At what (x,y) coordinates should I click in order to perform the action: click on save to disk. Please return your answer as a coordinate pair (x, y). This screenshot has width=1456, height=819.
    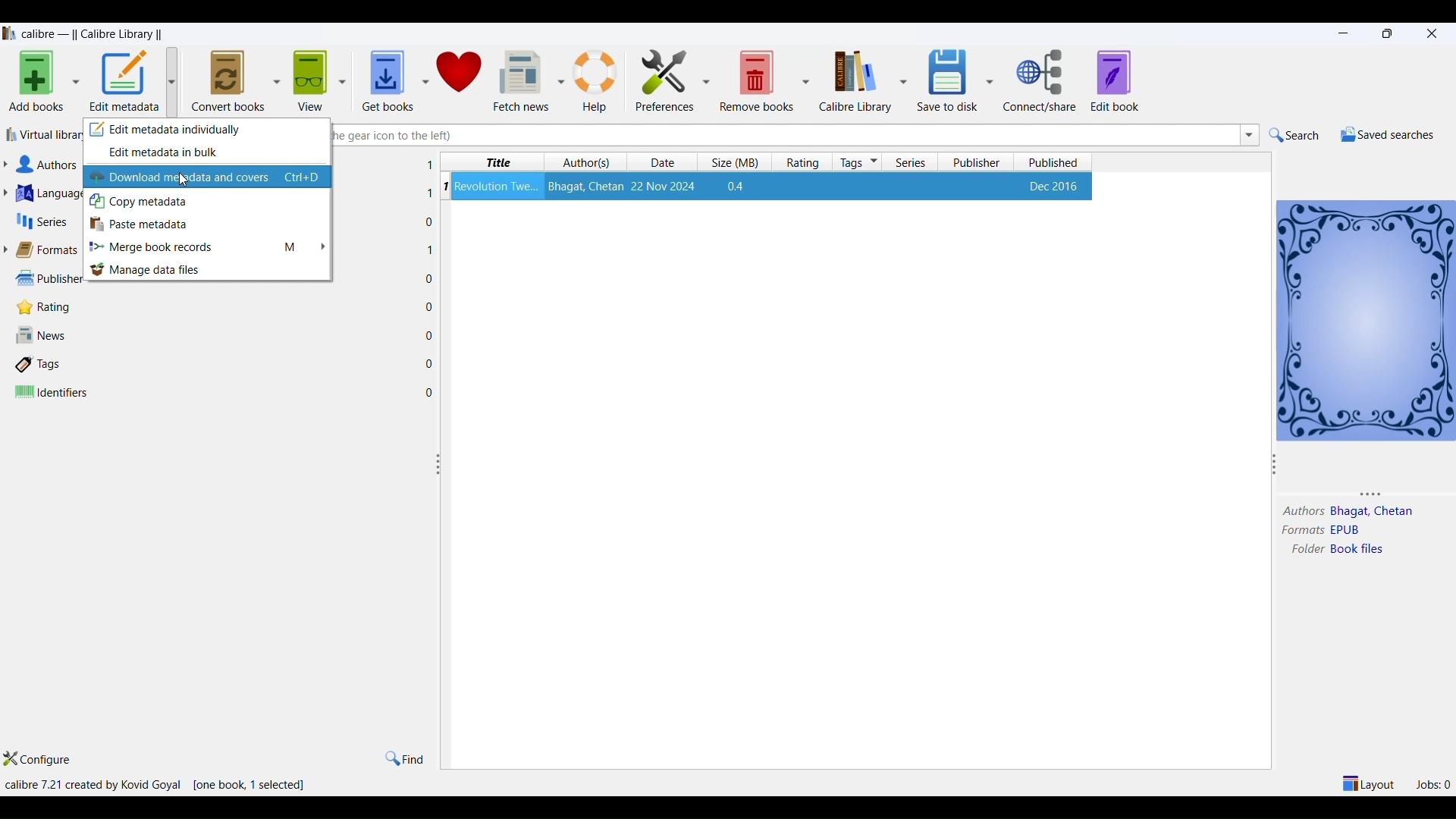
    Looking at the image, I should click on (946, 77).